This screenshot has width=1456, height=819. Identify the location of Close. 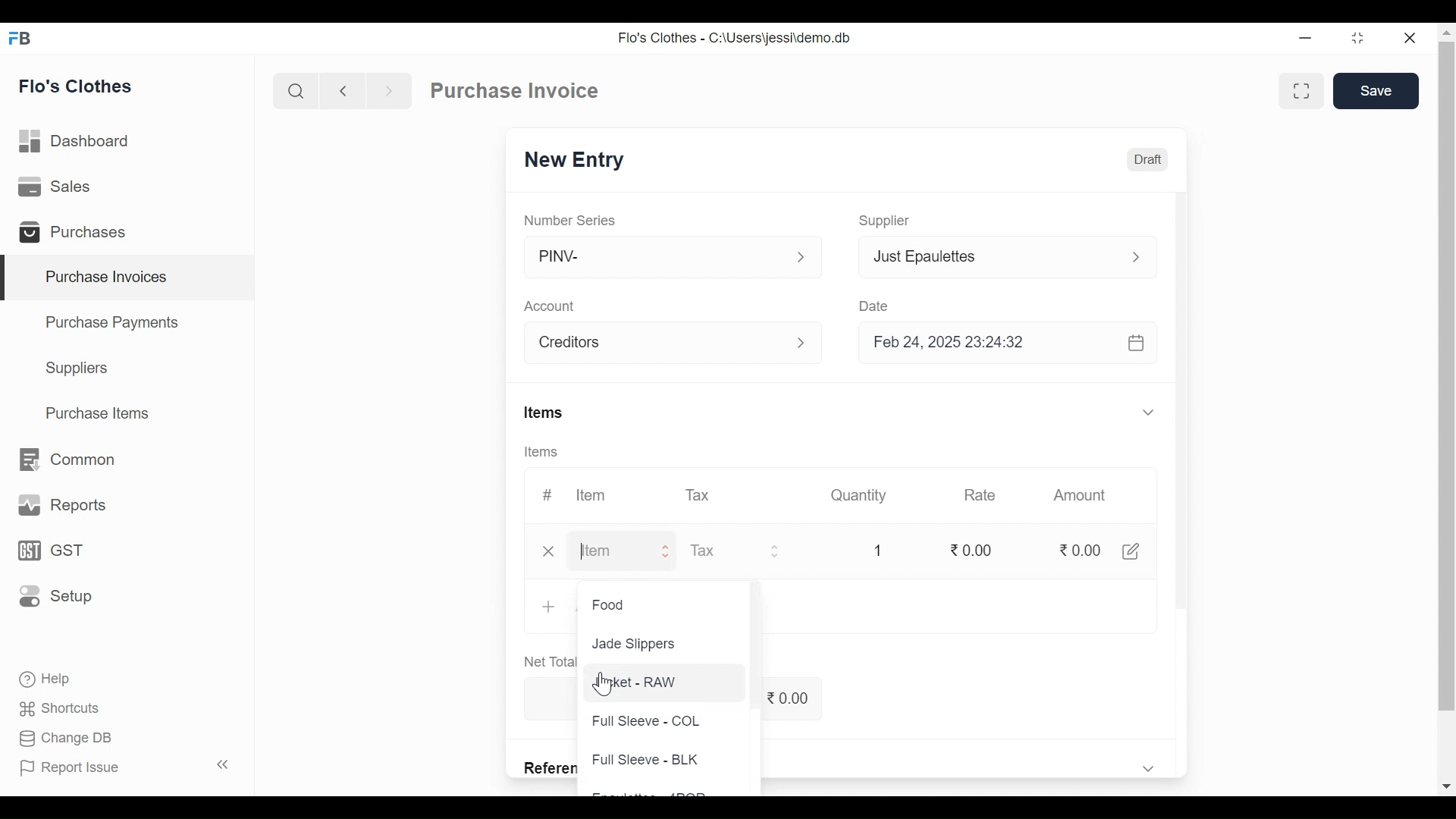
(1416, 39).